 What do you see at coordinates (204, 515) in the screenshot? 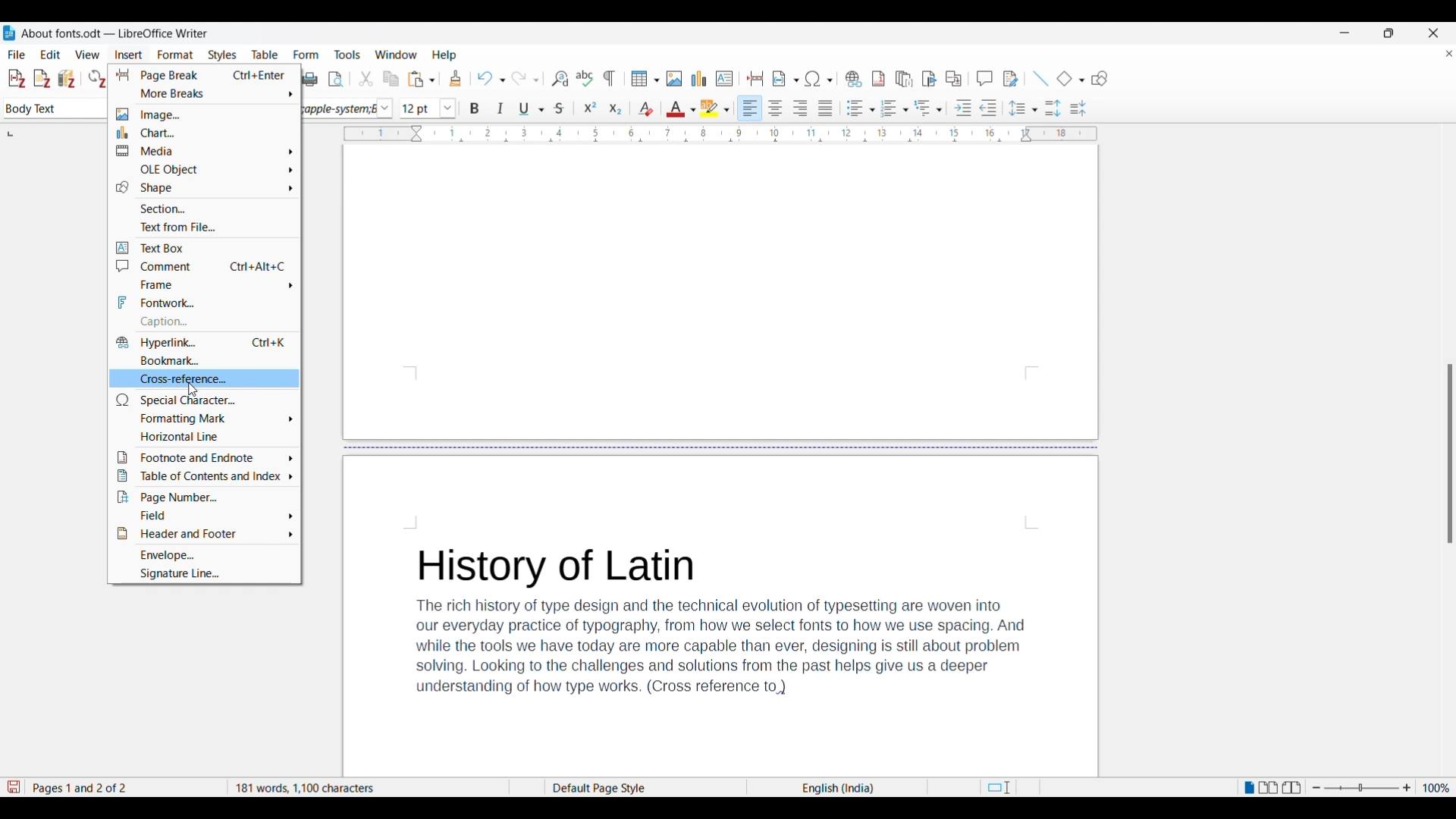
I see `Field options` at bounding box center [204, 515].